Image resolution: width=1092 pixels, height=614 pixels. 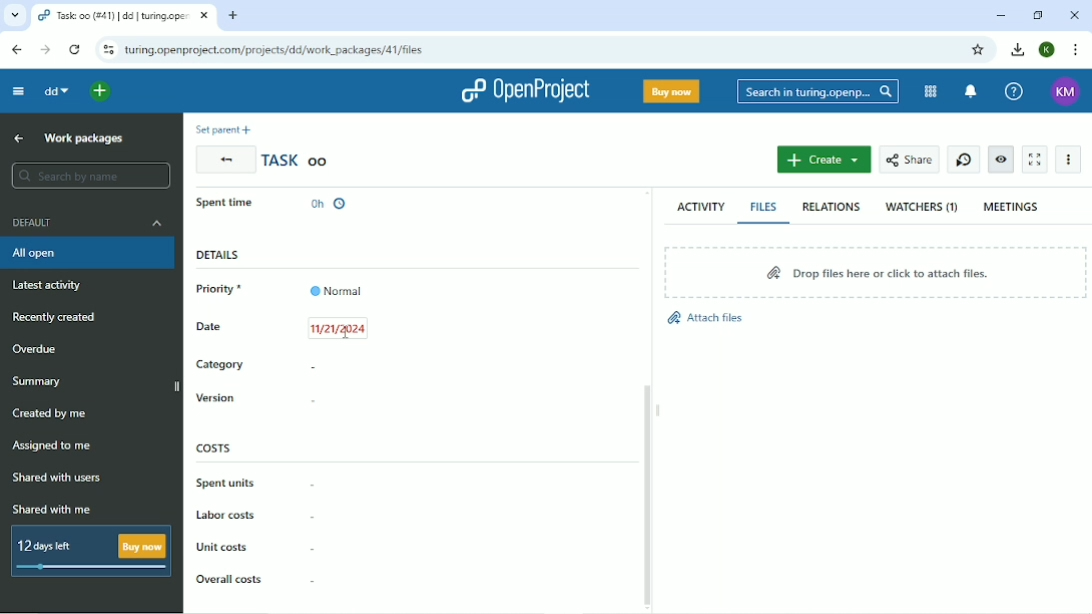 What do you see at coordinates (214, 447) in the screenshot?
I see `Costs` at bounding box center [214, 447].